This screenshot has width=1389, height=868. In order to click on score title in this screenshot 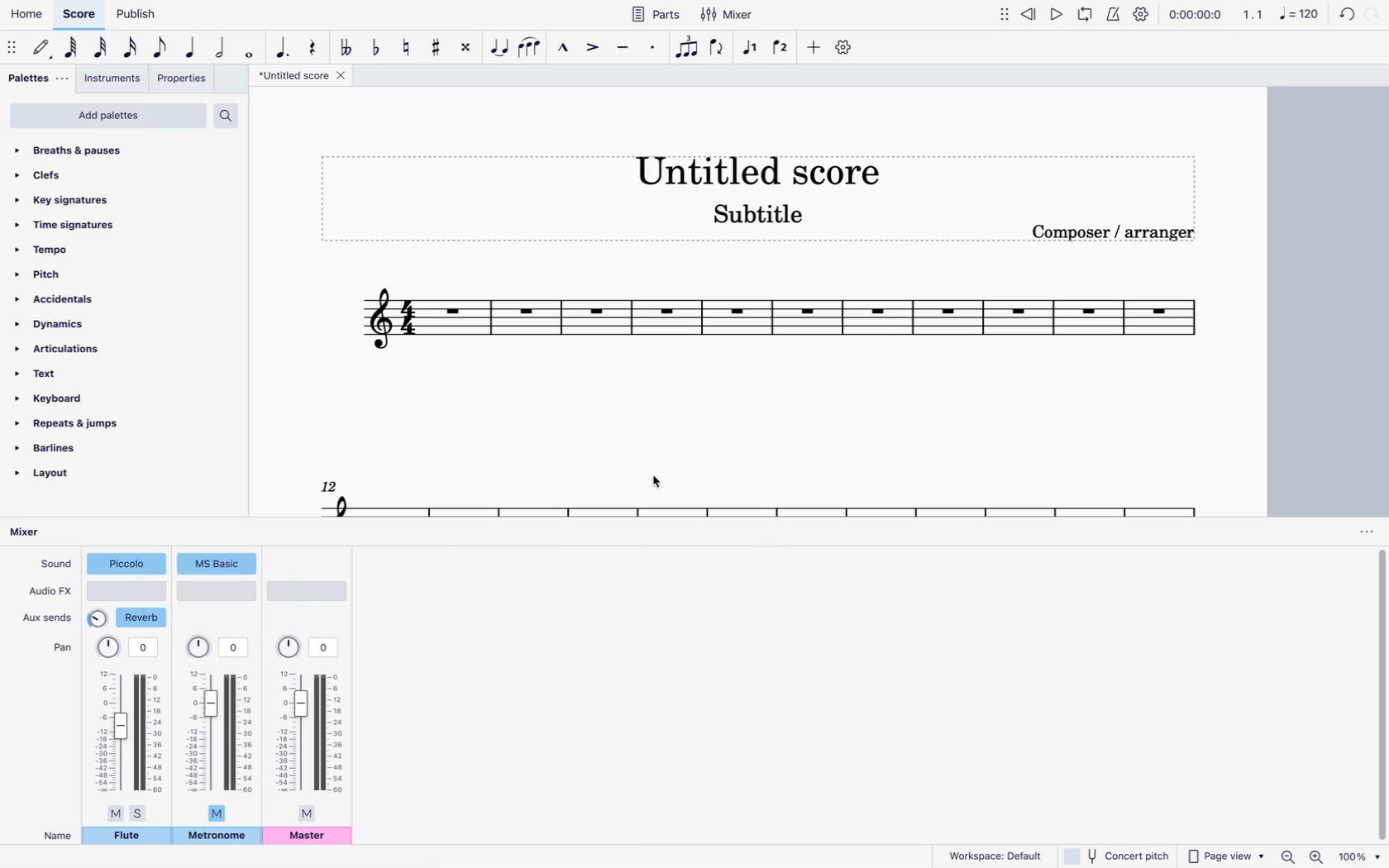, I will do `click(756, 167)`.